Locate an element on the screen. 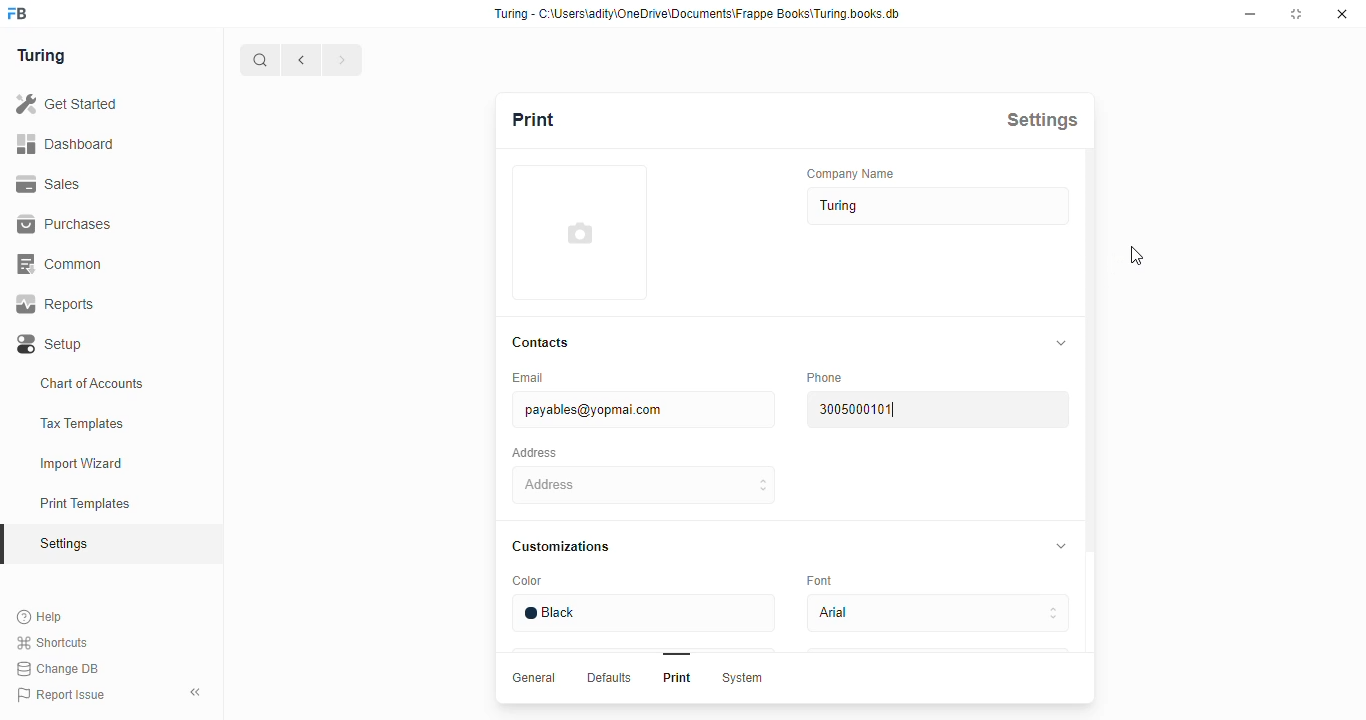  collapse is located at coordinates (197, 692).